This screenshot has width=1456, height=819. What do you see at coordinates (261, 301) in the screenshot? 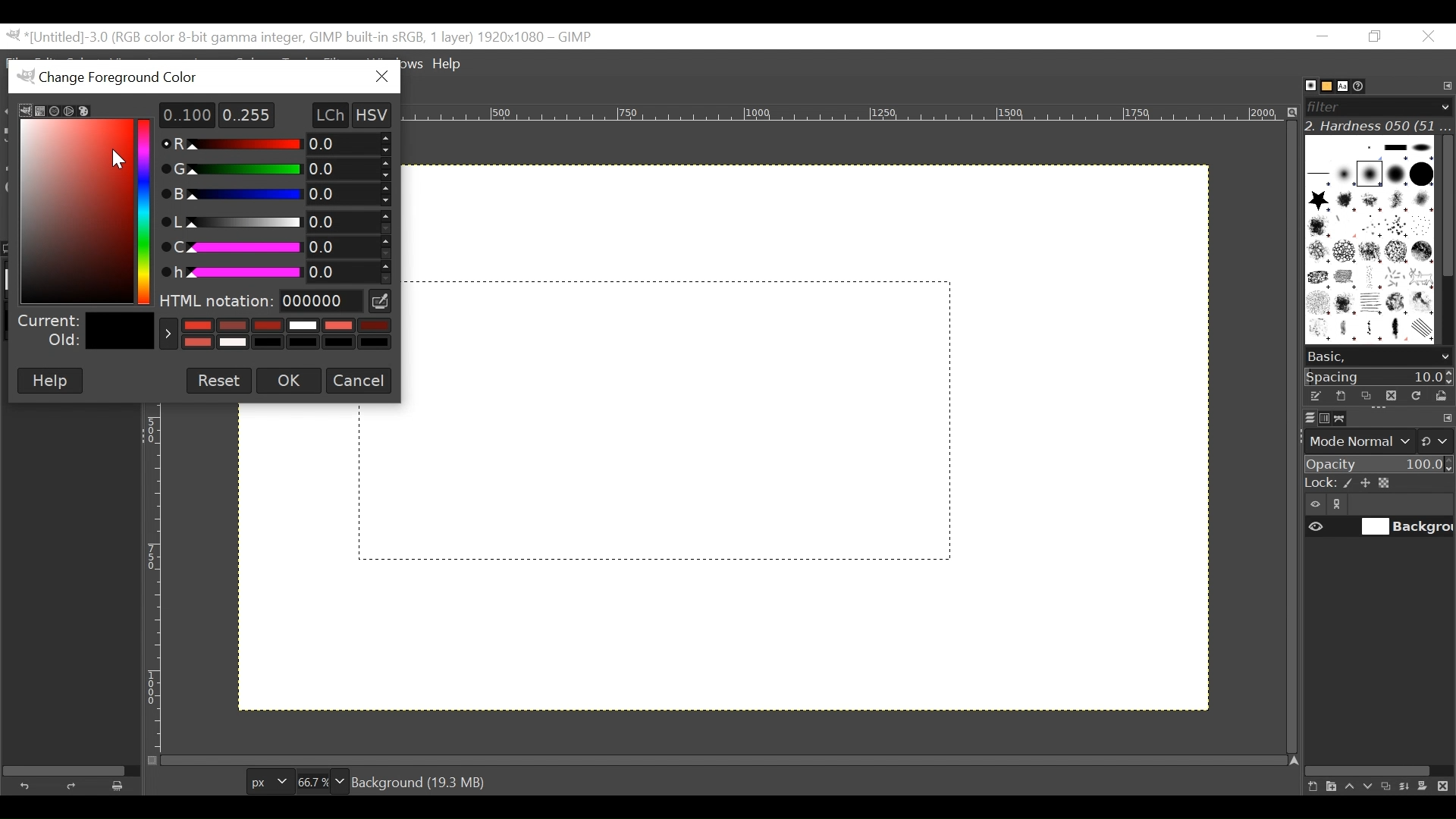
I see `HTML notation` at bounding box center [261, 301].